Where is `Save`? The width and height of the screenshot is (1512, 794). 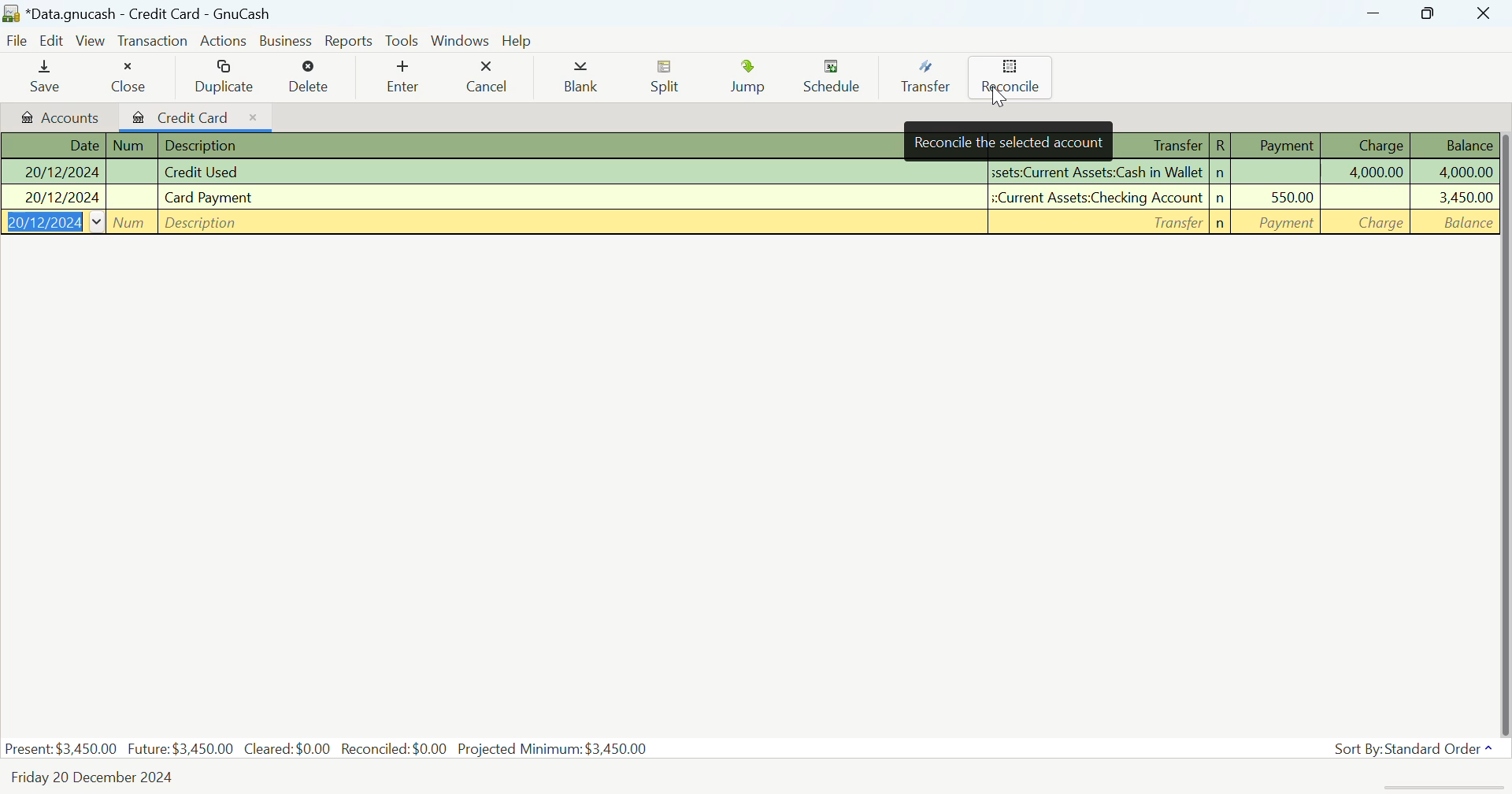 Save is located at coordinates (46, 78).